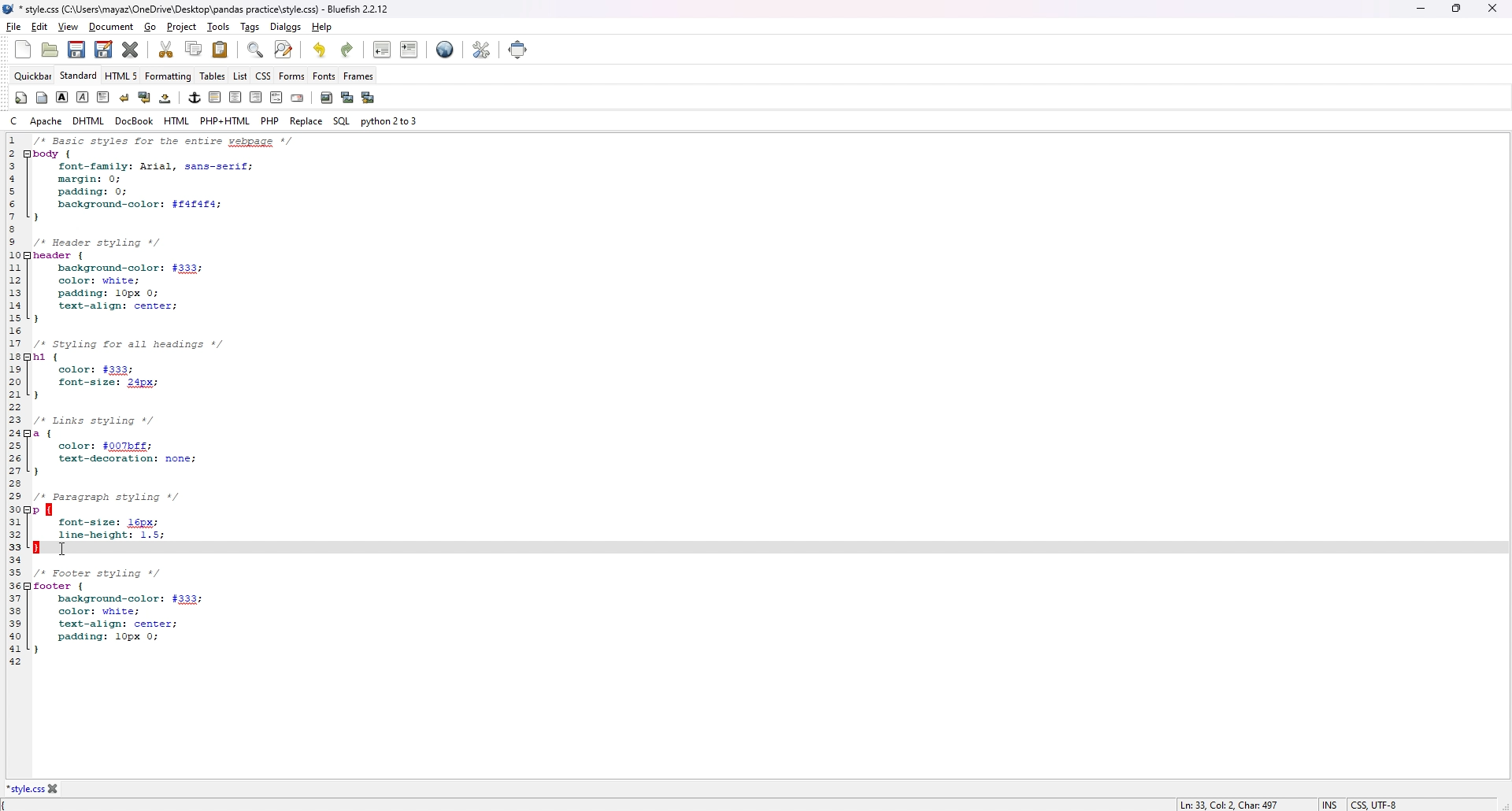 The image size is (1512, 811). What do you see at coordinates (265, 76) in the screenshot?
I see `css` at bounding box center [265, 76].